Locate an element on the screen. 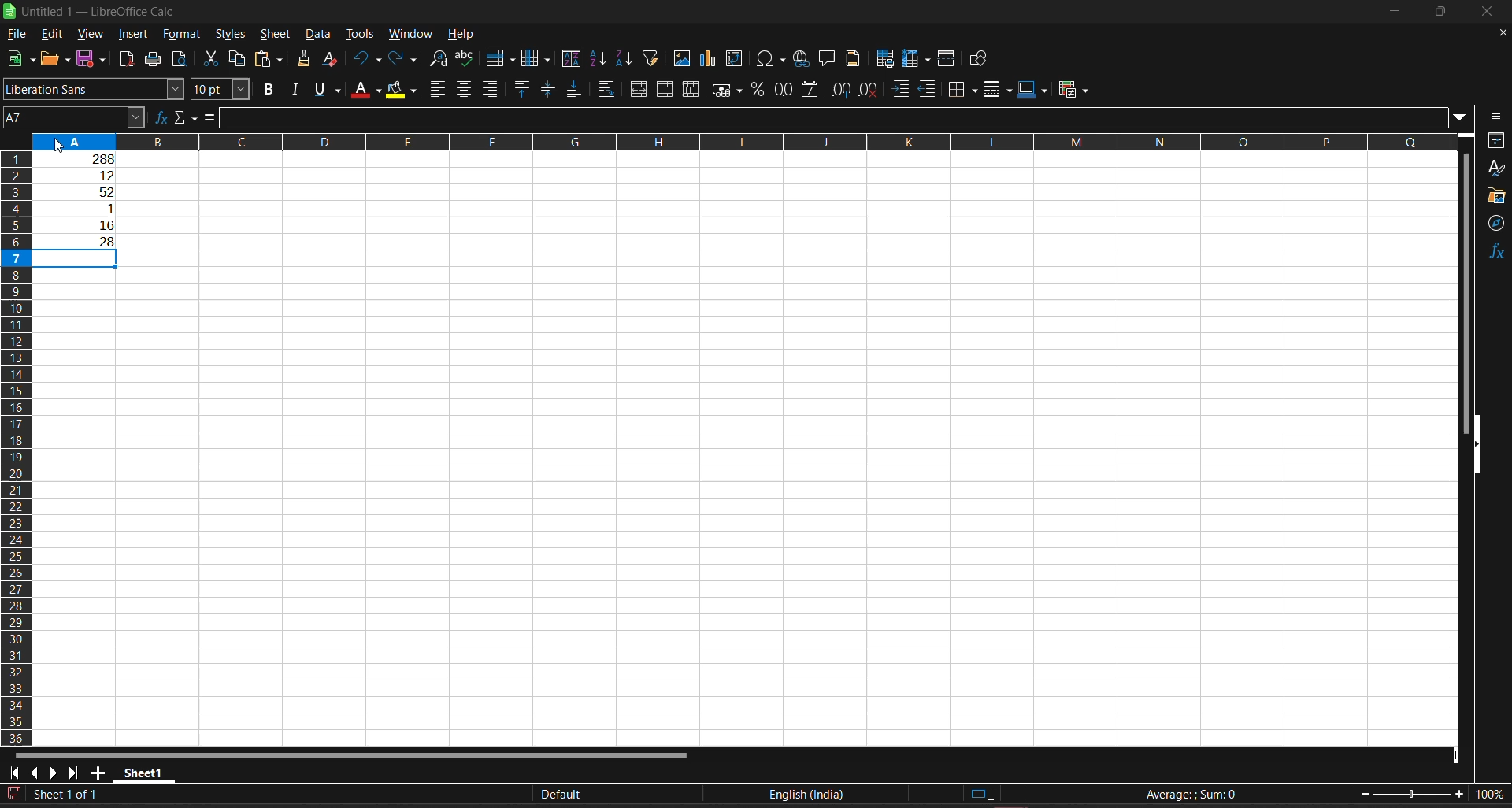 The height and width of the screenshot is (808, 1512). zoom slider is located at coordinates (1410, 795).